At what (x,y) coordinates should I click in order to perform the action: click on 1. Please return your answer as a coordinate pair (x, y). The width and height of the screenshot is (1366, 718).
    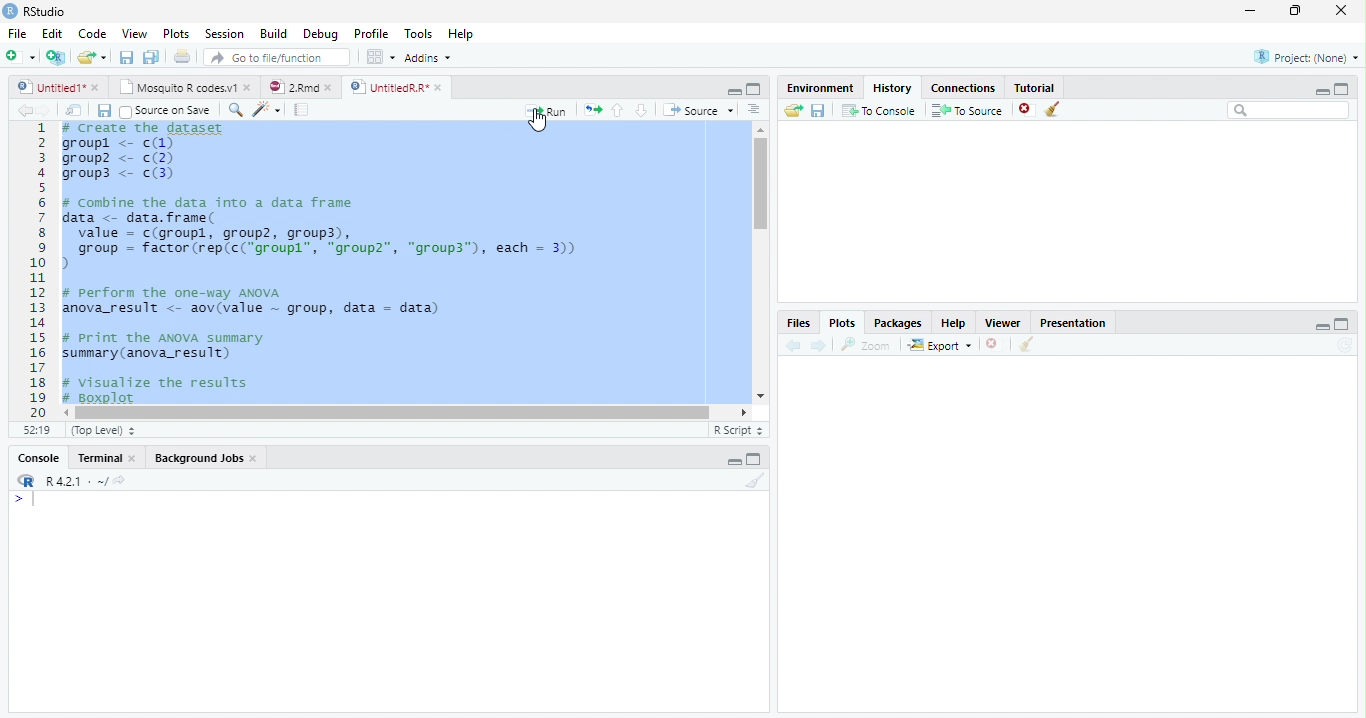
    Looking at the image, I should click on (37, 268).